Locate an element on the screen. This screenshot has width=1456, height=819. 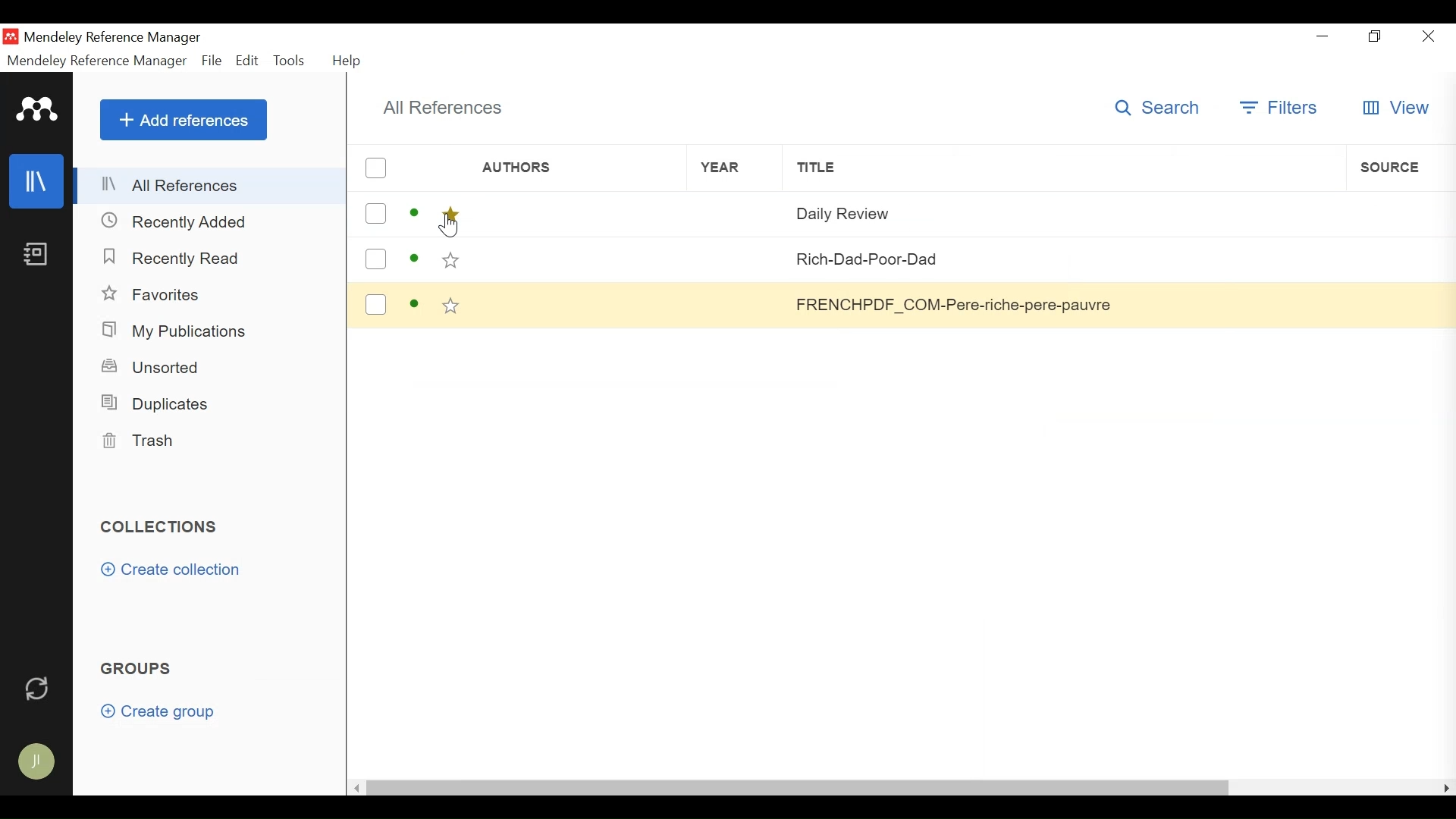
minimize is located at coordinates (1323, 36).